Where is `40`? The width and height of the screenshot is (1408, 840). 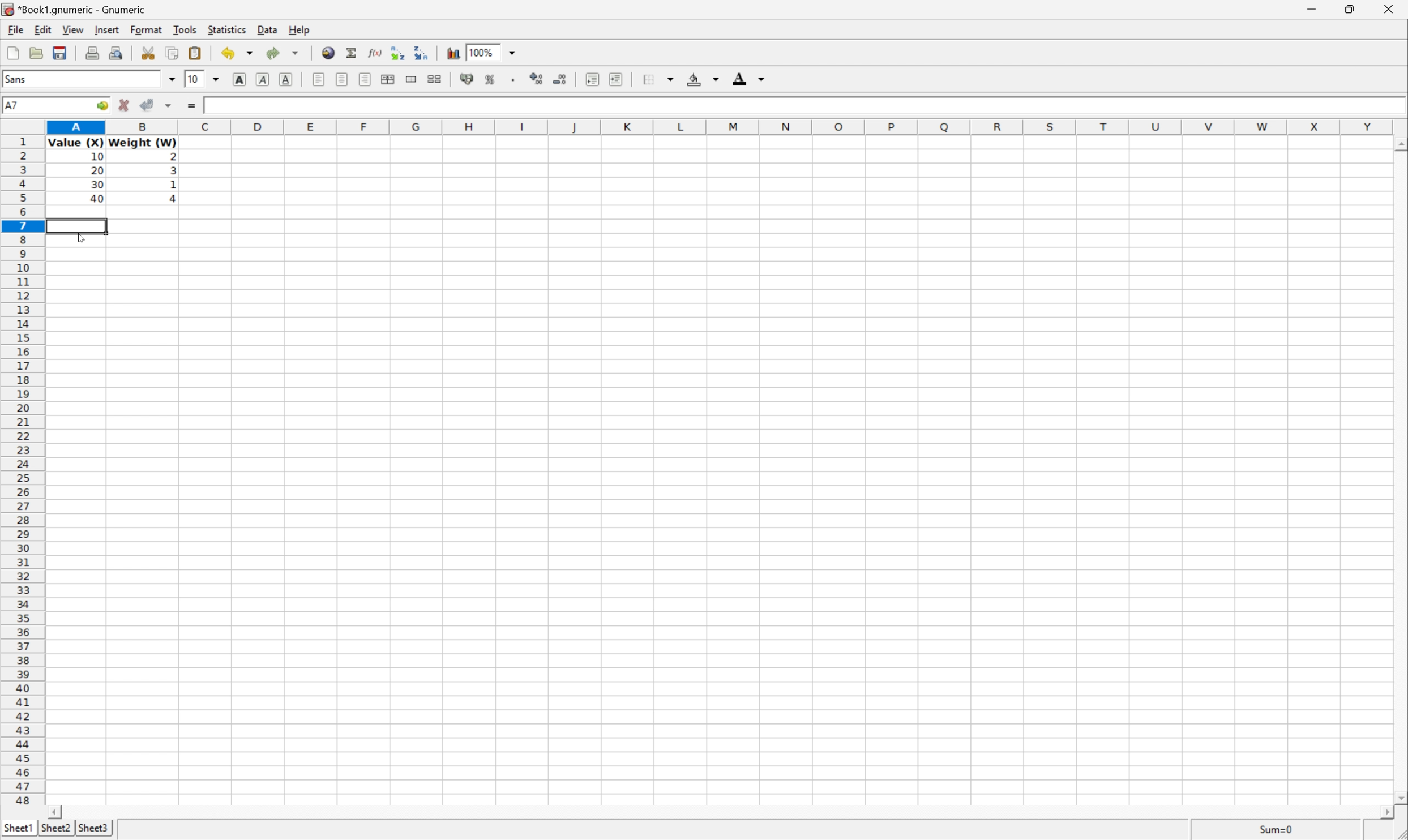
40 is located at coordinates (98, 199).